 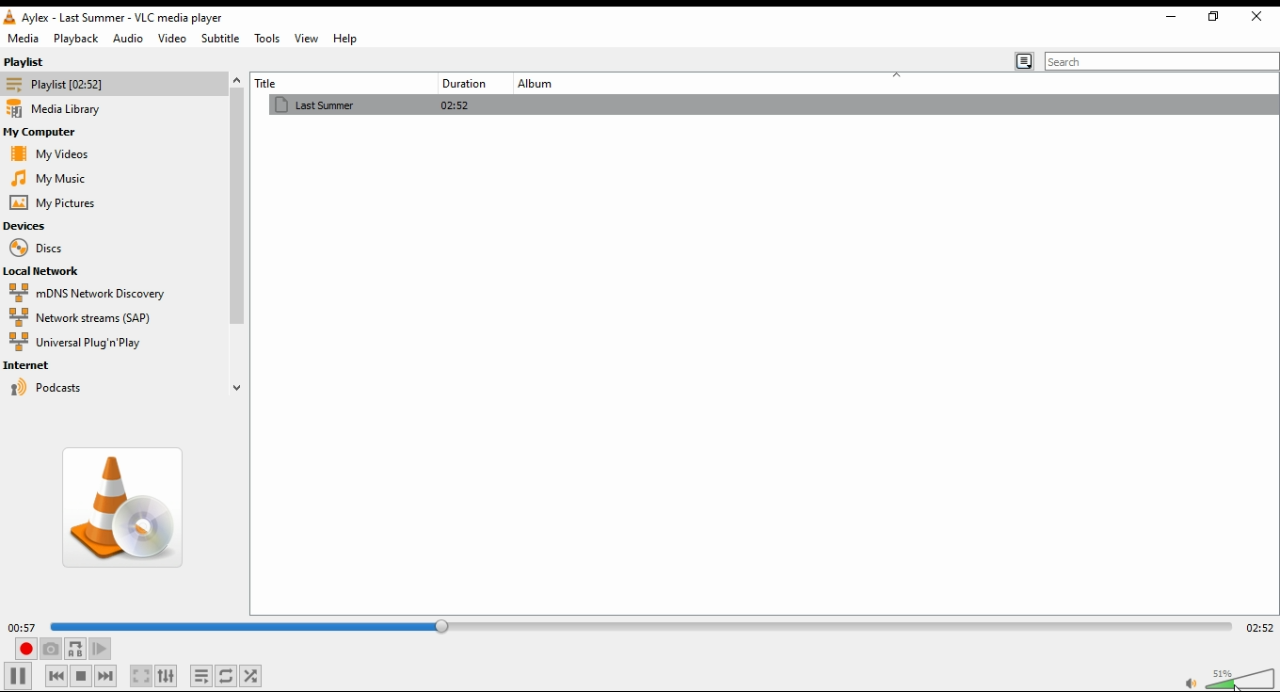 What do you see at coordinates (228, 676) in the screenshot?
I see `select between lop all, loop one, and no loop` at bounding box center [228, 676].